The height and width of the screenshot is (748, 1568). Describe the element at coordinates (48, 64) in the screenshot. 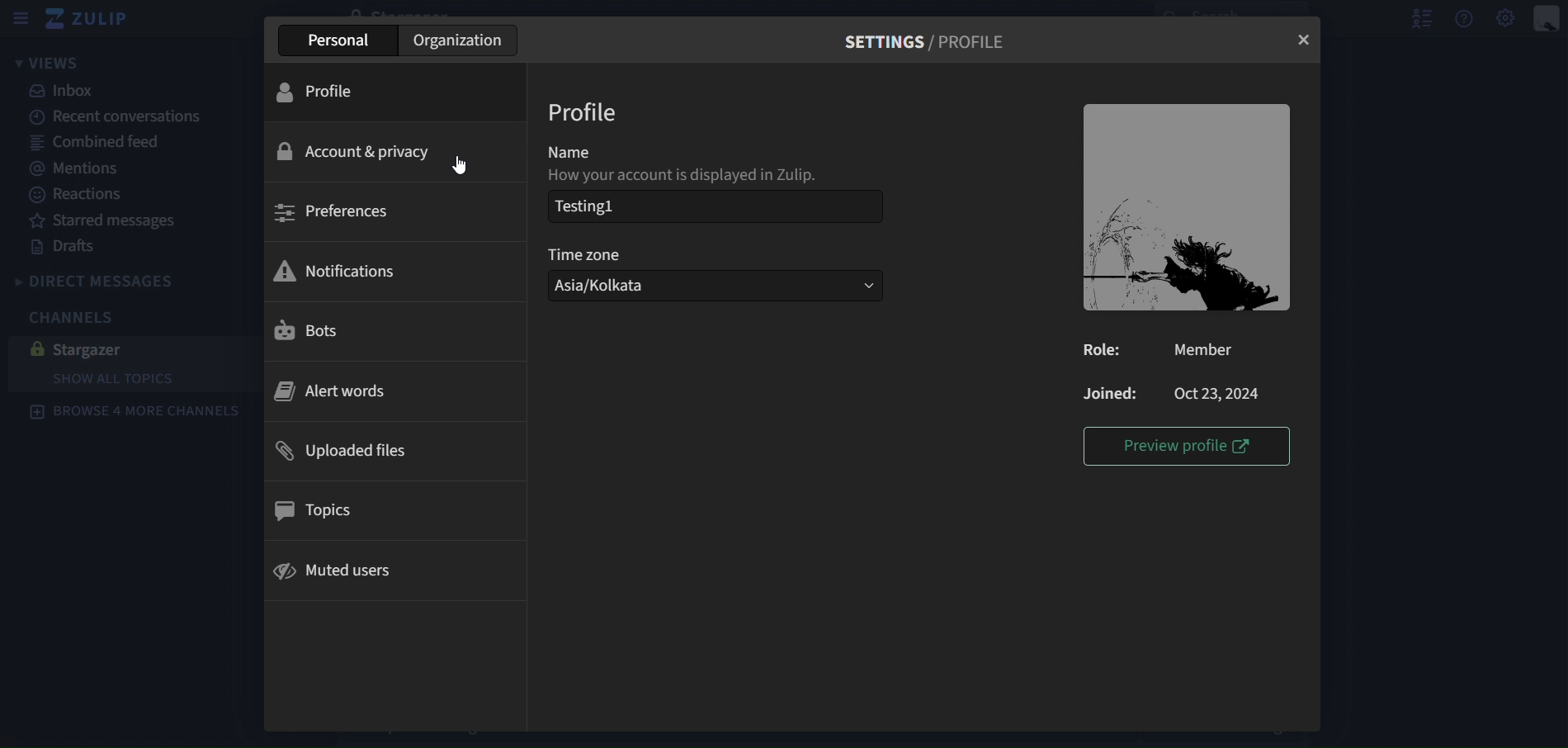

I see `views` at that location.